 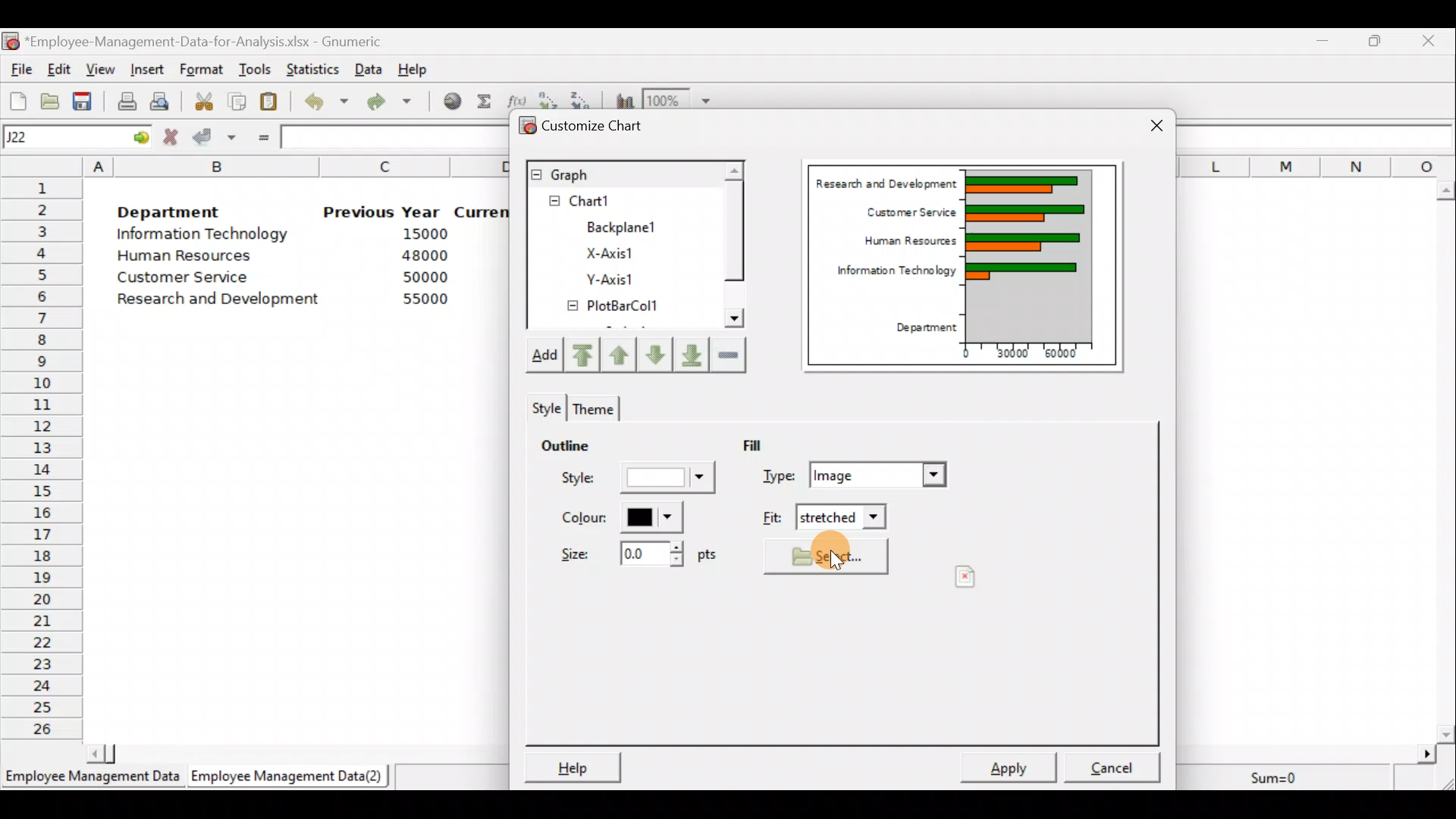 I want to click on Human Resources, so click(x=899, y=242).